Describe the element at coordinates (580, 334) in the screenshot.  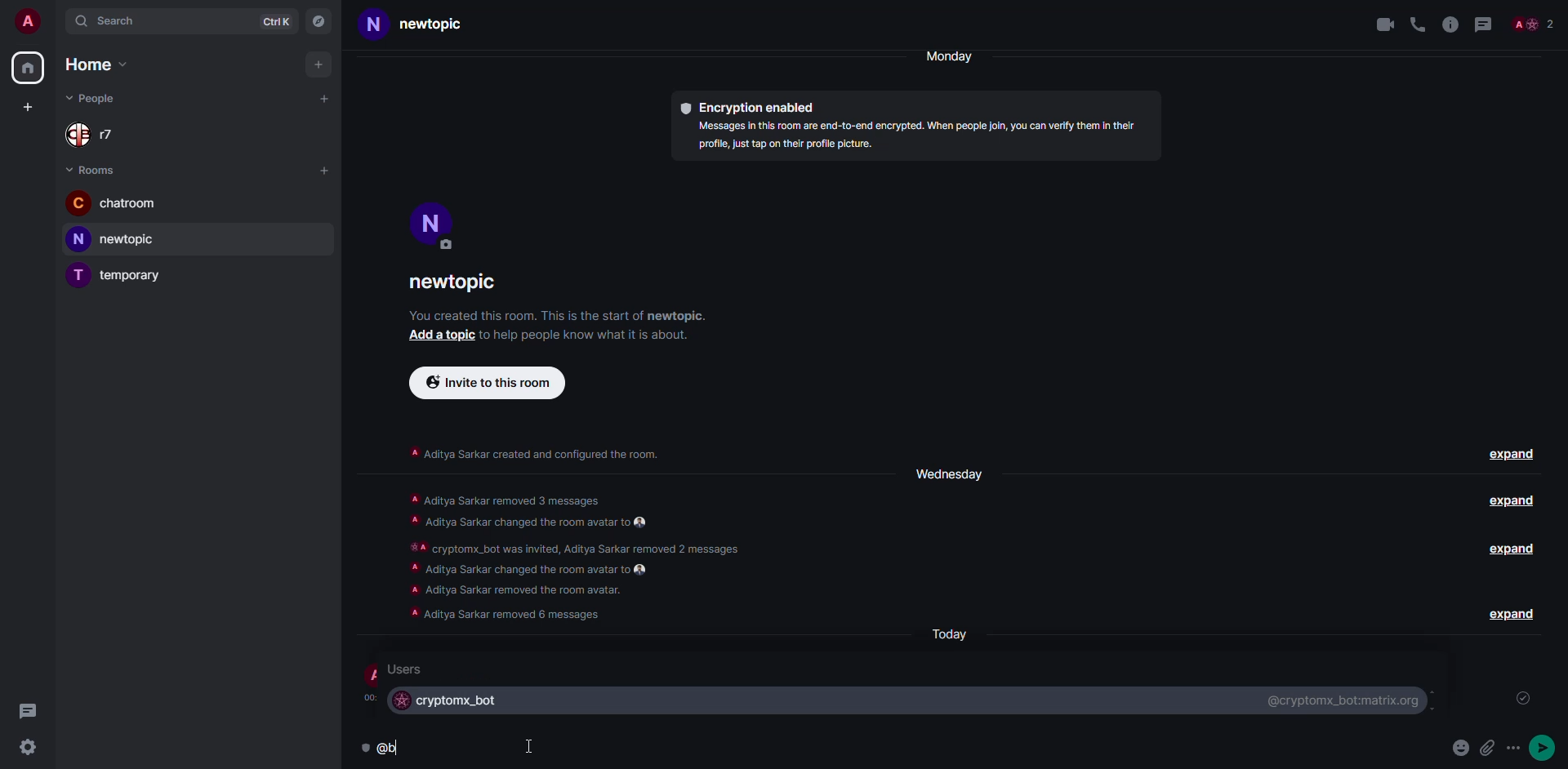
I see `info` at that location.